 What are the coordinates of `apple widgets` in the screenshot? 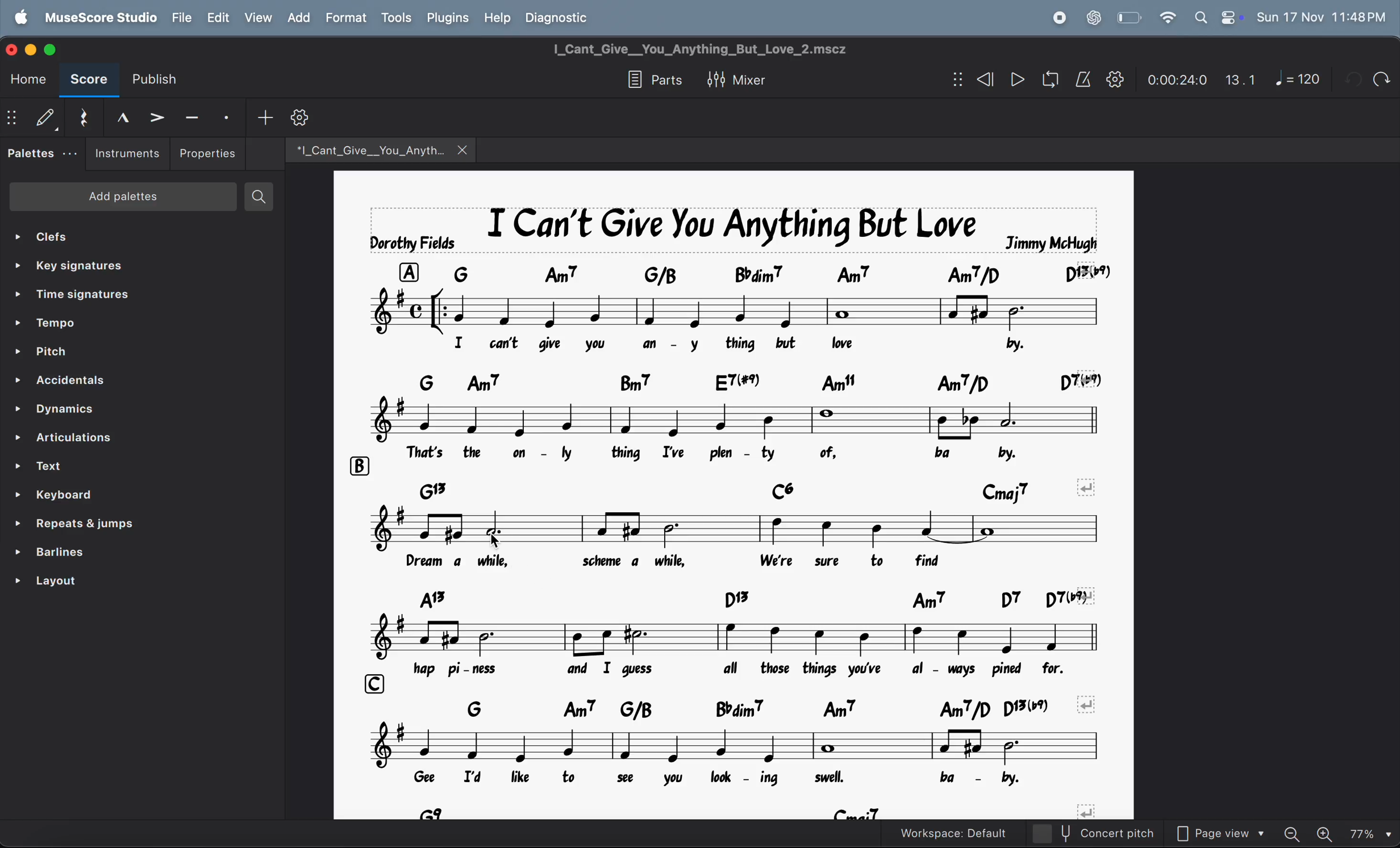 It's located at (1218, 17).